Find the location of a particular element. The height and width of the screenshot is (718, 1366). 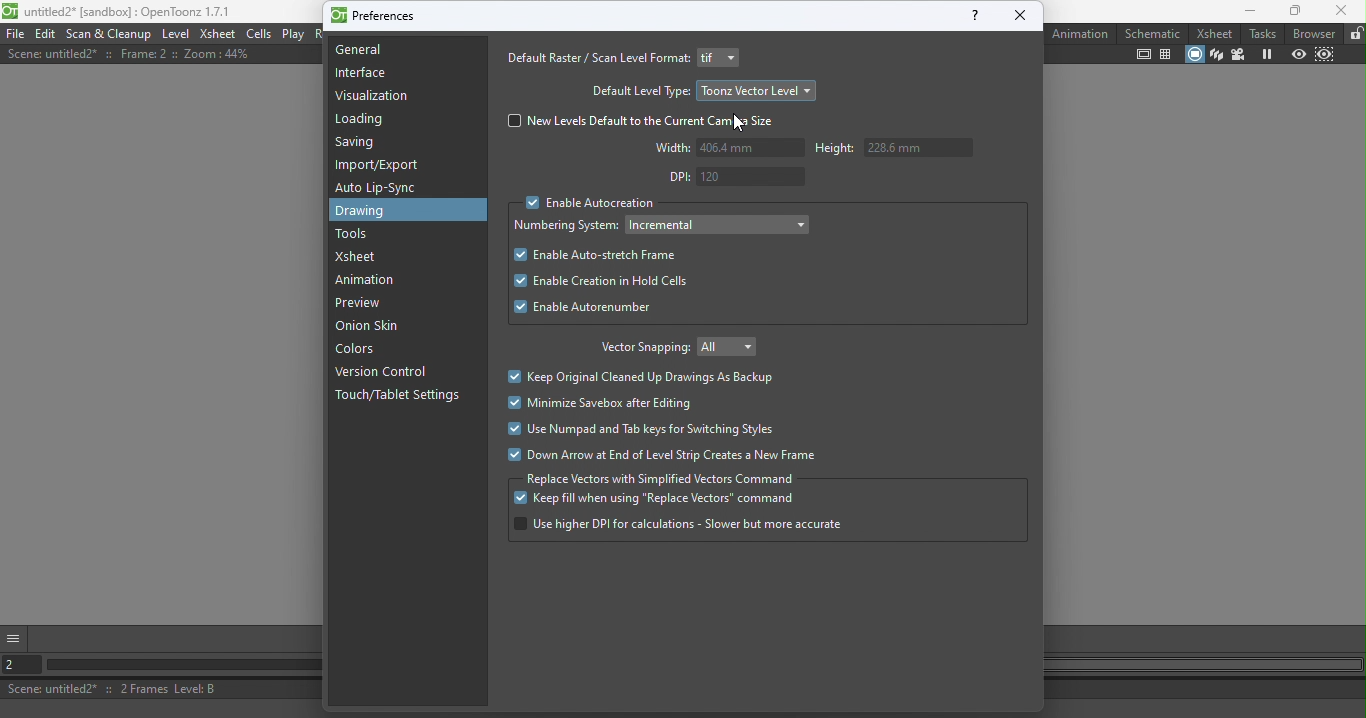

Use higher DPI for calculation - slower but more accurate is located at coordinates (680, 525).